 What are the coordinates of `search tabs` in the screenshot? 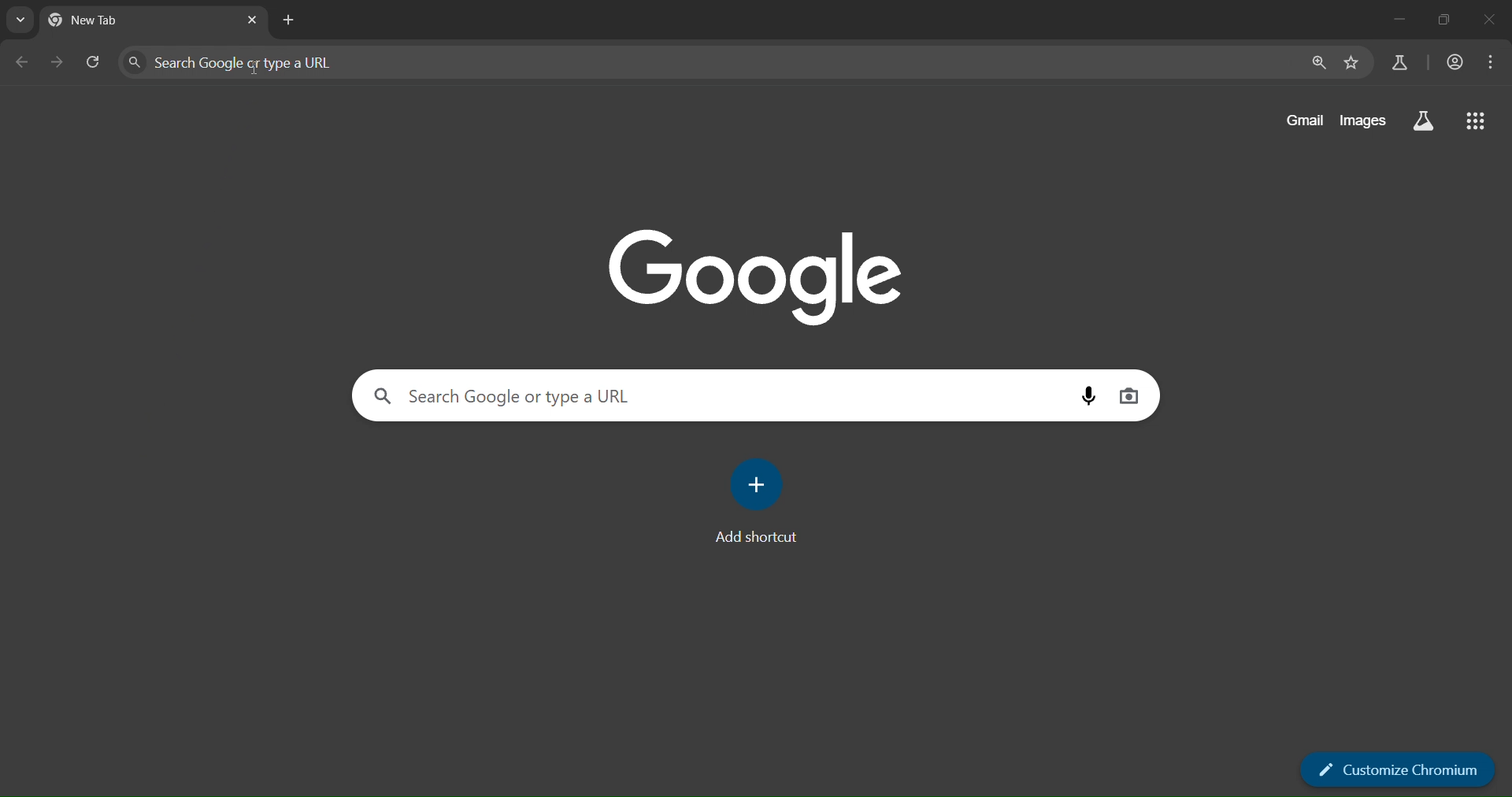 It's located at (20, 23).